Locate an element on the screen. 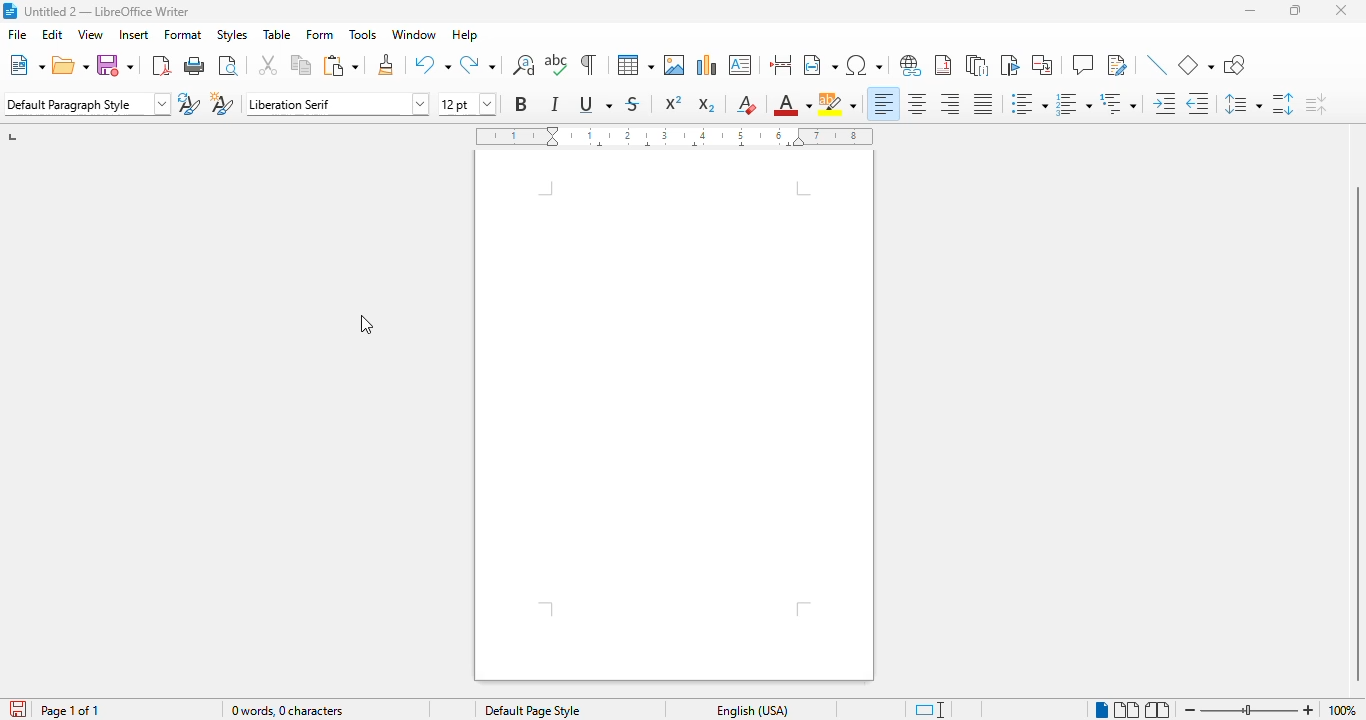  insert page break is located at coordinates (779, 64).